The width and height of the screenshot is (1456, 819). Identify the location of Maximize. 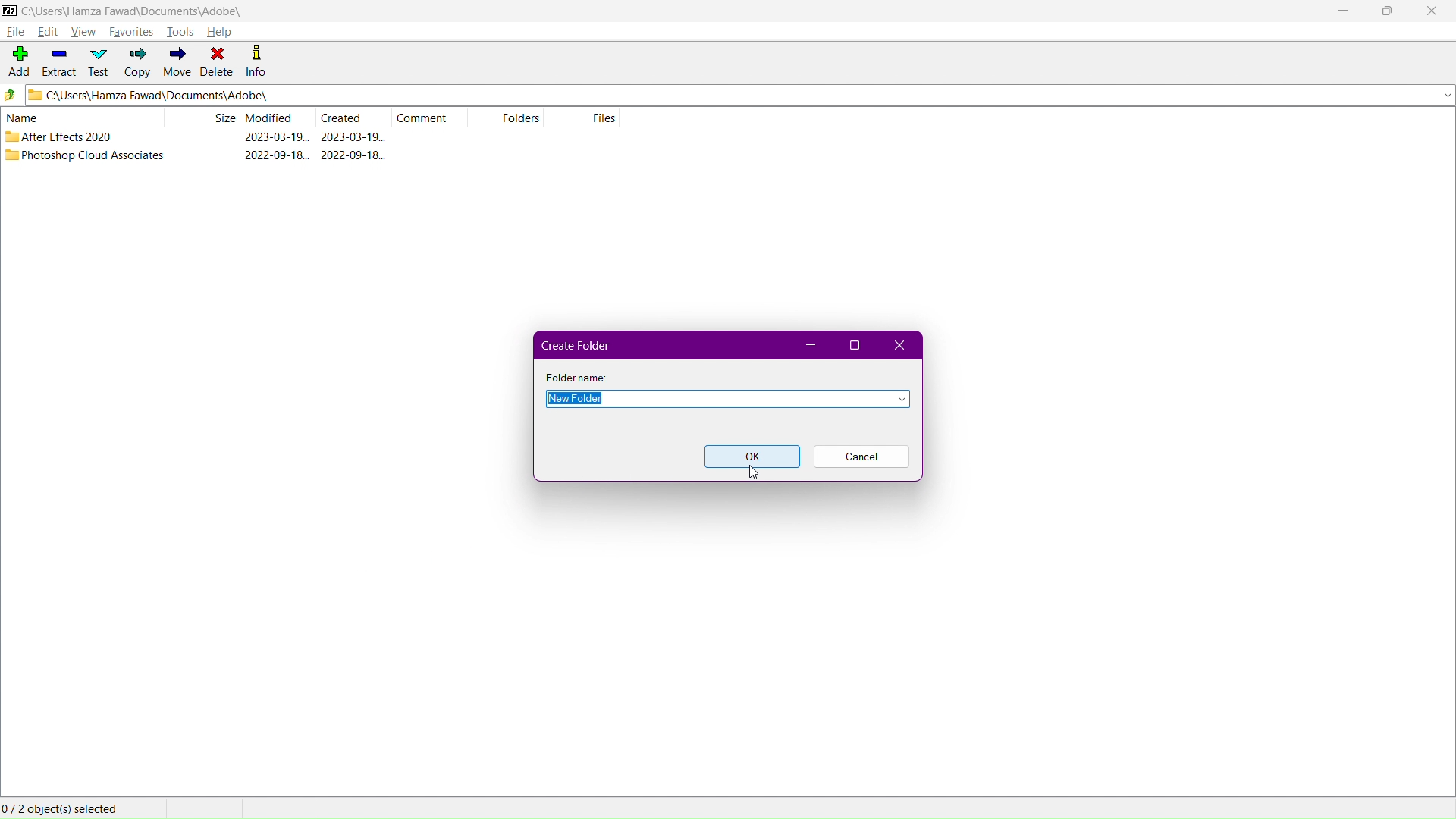
(850, 345).